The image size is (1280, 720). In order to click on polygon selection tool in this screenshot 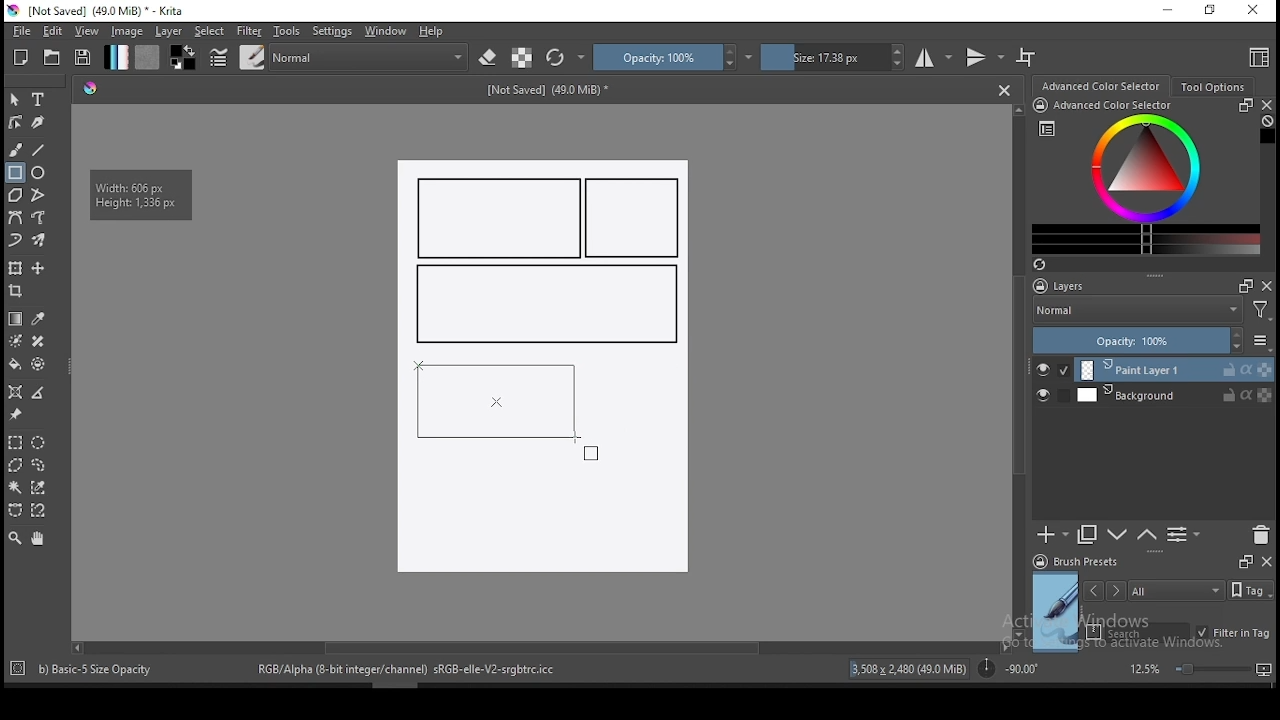, I will do `click(16, 465)`.